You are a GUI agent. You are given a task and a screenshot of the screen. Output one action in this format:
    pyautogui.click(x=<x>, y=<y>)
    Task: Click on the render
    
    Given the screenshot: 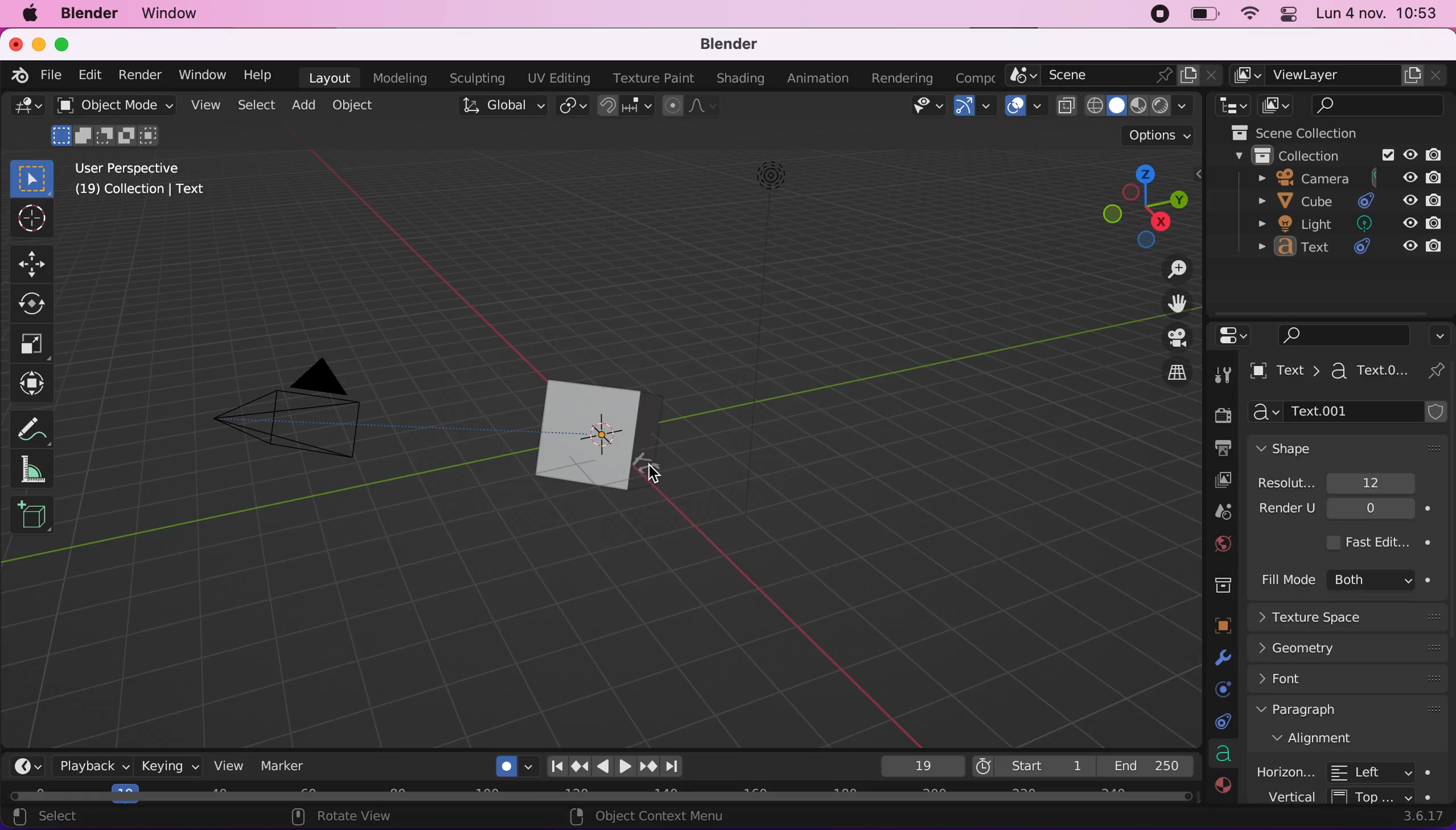 What is the action you would take?
    pyautogui.click(x=1218, y=410)
    